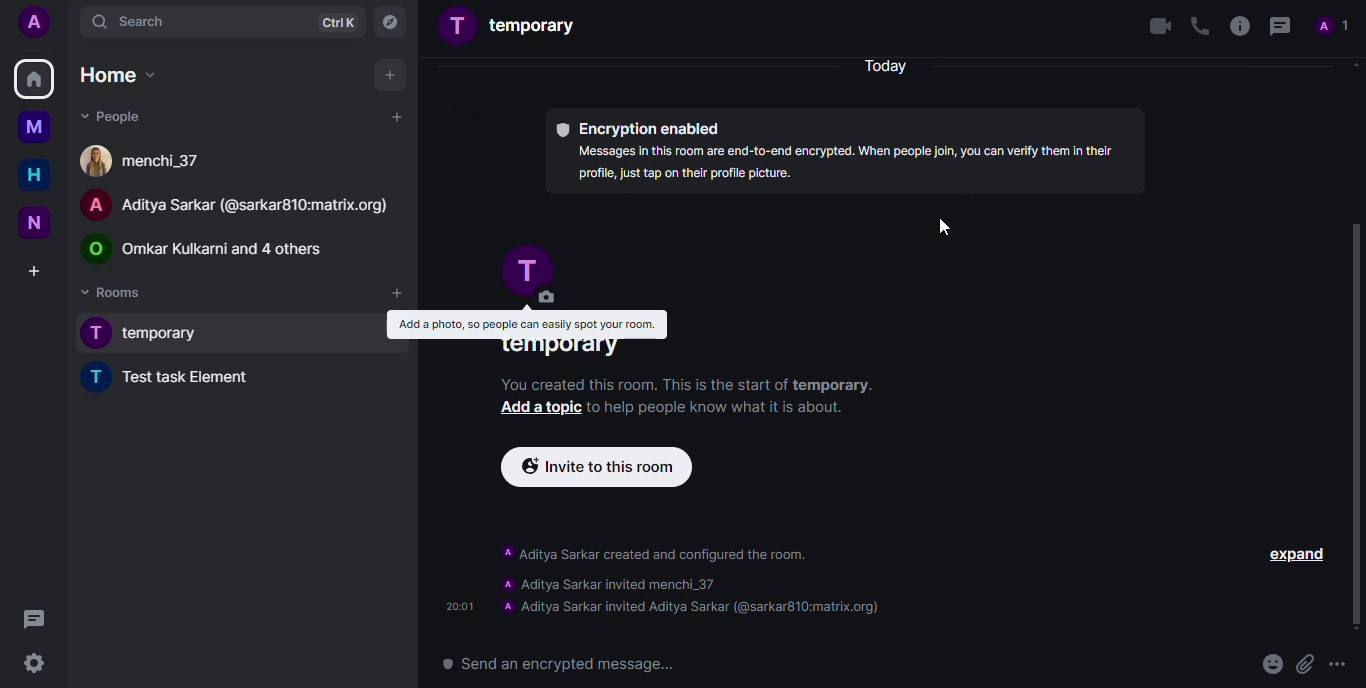  I want to click on T temporary, so click(159, 333).